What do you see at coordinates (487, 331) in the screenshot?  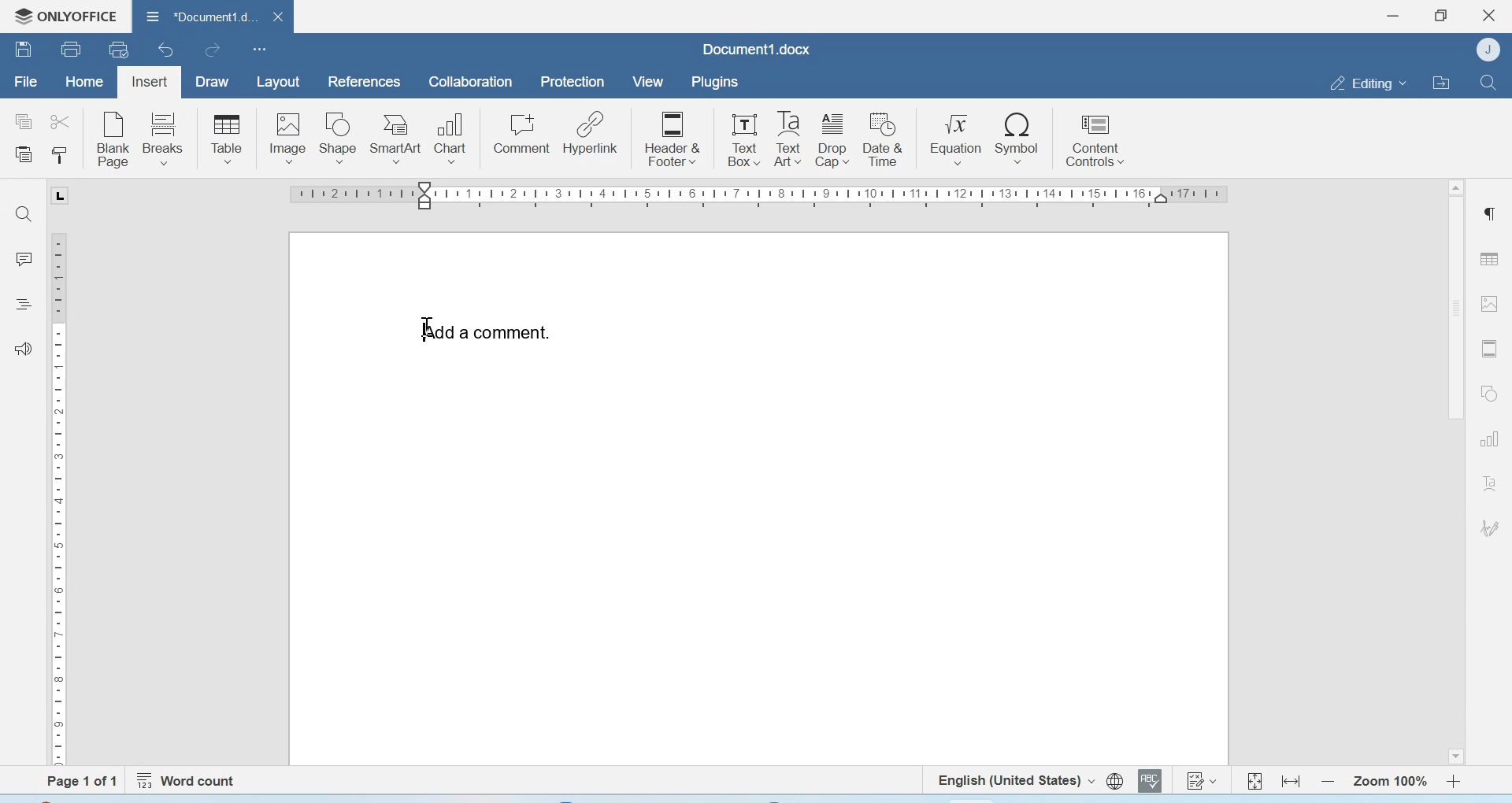 I see `Add comment` at bounding box center [487, 331].